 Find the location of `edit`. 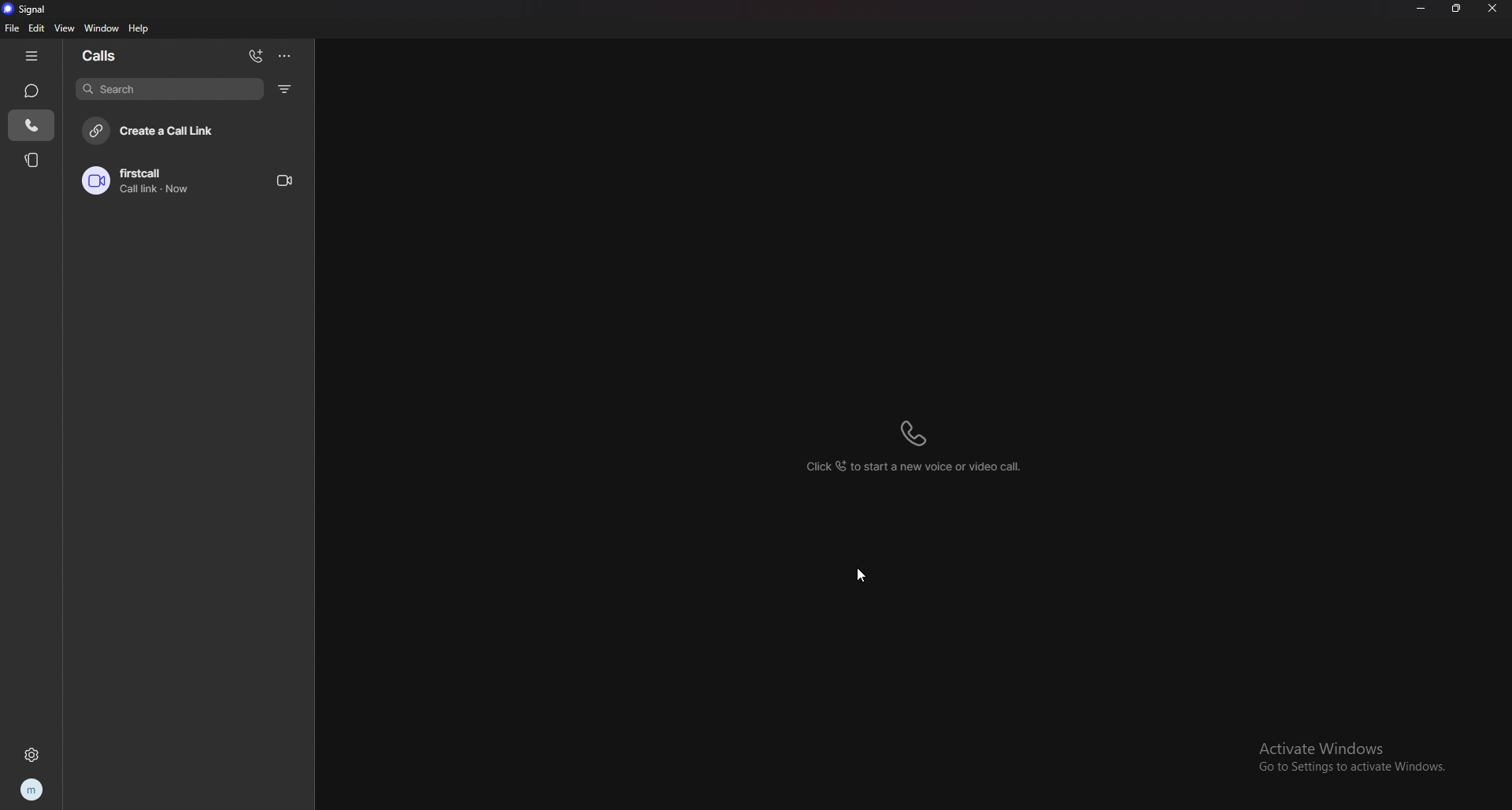

edit is located at coordinates (37, 28).